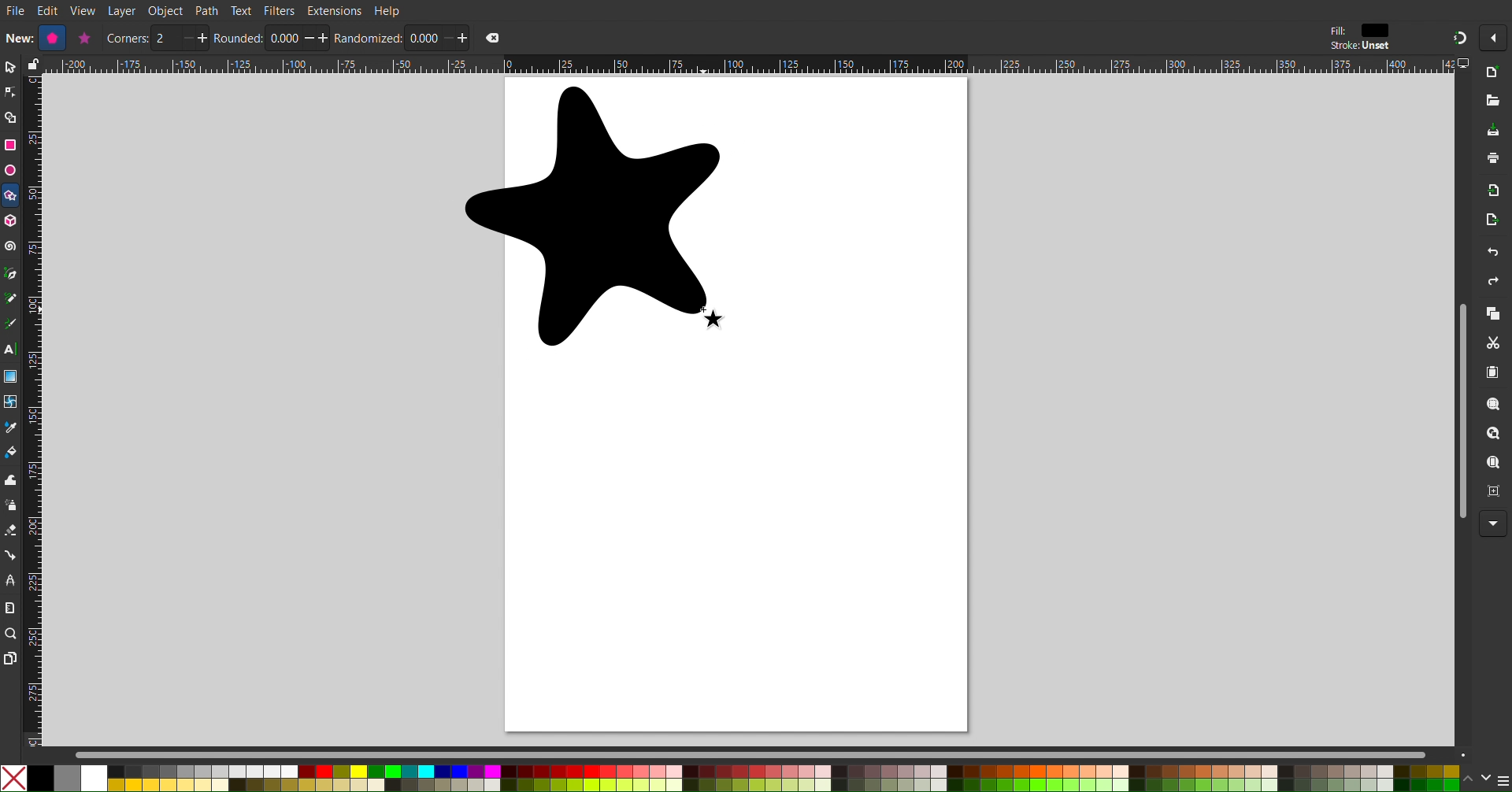 The width and height of the screenshot is (1512, 792). Describe the element at coordinates (11, 403) in the screenshot. I see `Mesh Tool` at that location.